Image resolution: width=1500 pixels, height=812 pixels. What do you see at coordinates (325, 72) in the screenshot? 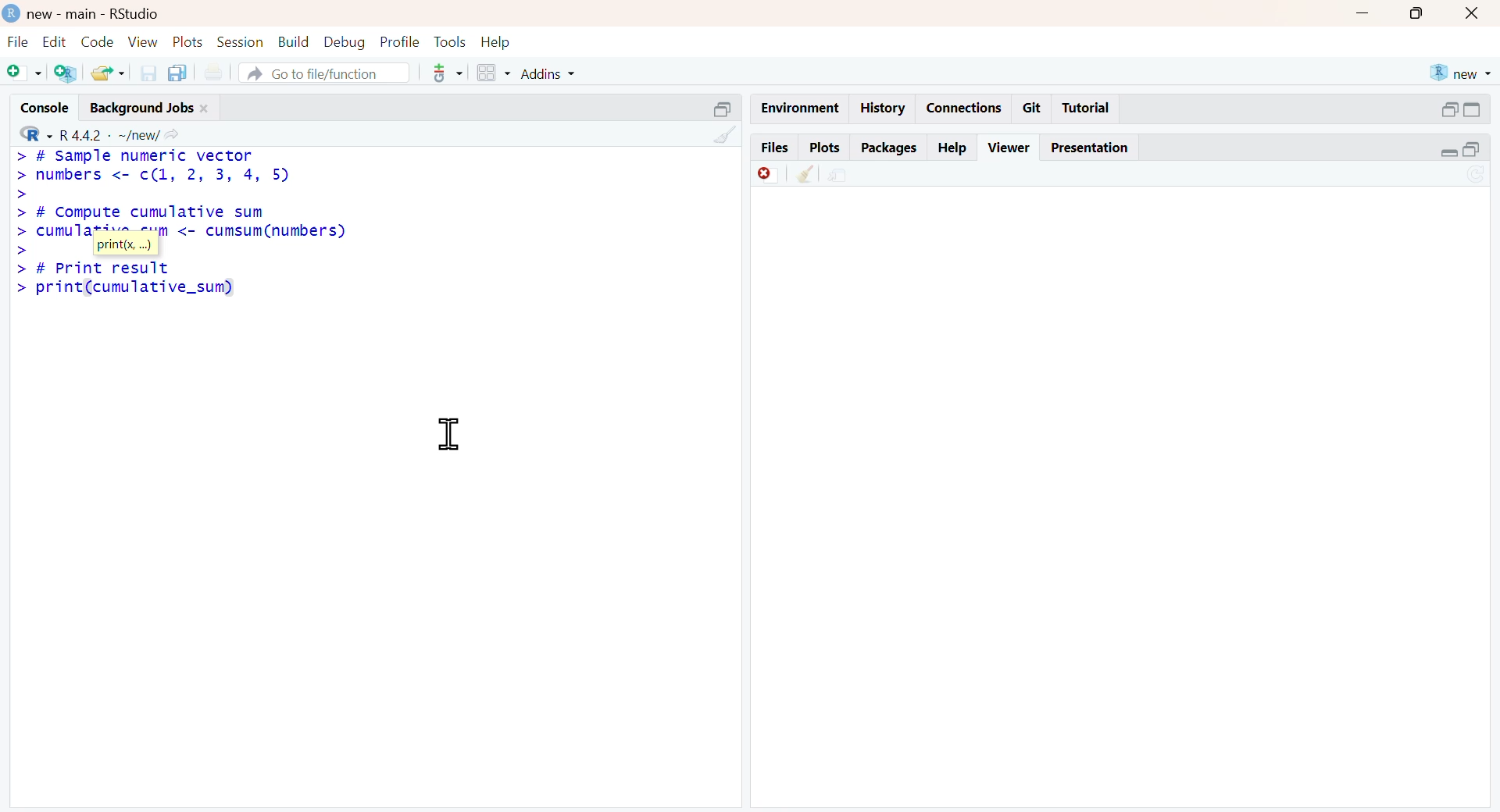
I see `go to file/function` at bounding box center [325, 72].